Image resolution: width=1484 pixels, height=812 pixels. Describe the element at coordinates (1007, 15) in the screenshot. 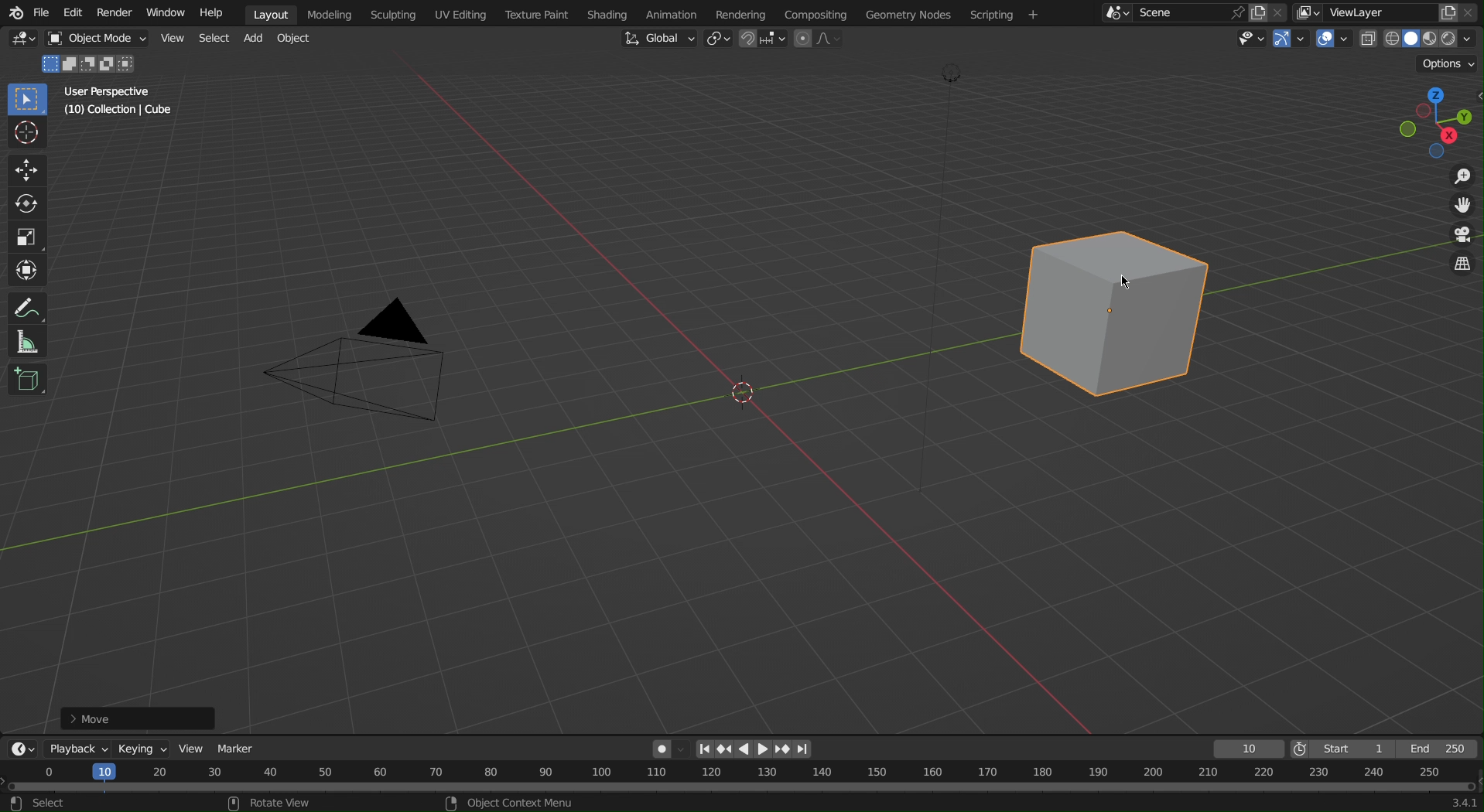

I see `` at that location.